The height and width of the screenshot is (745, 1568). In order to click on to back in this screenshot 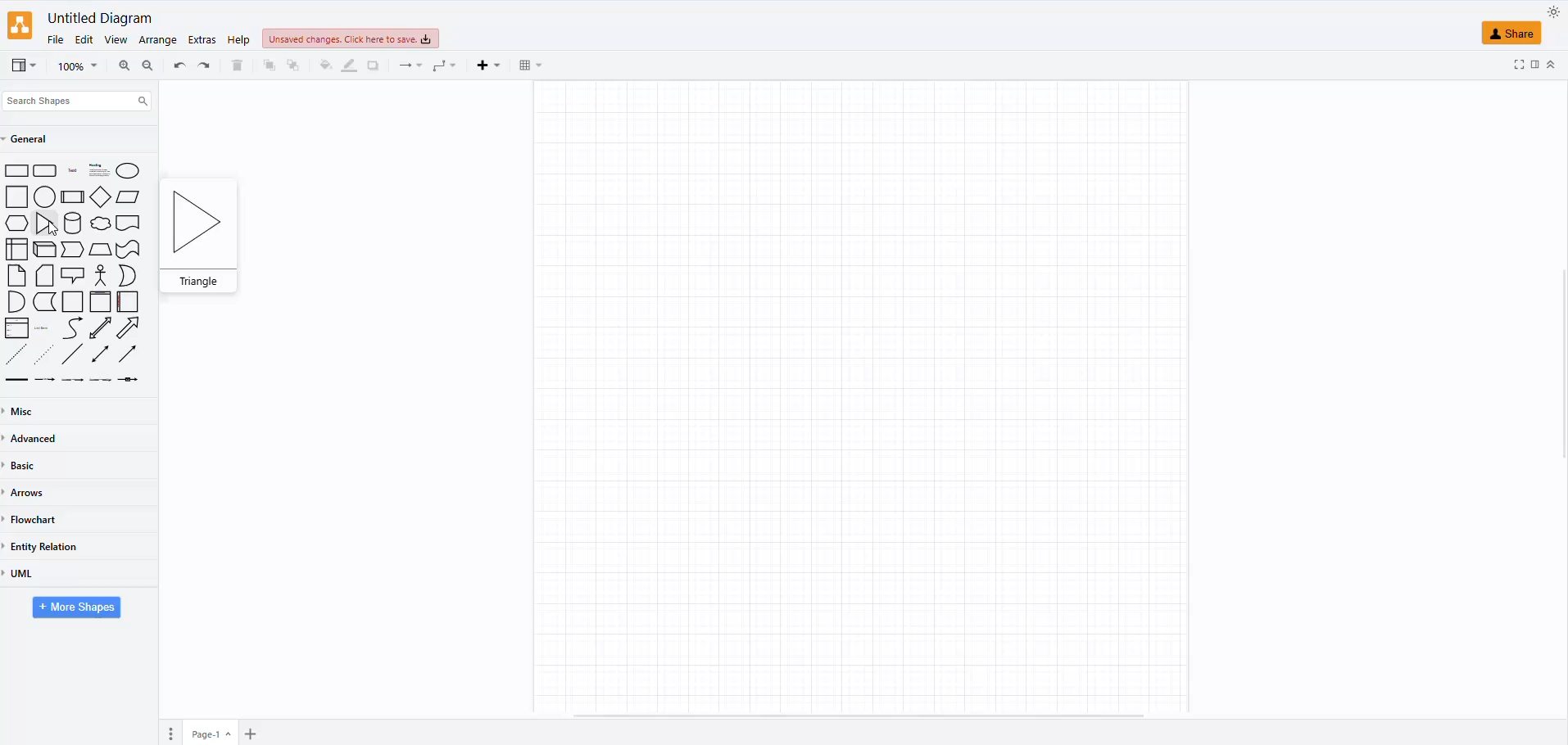, I will do `click(268, 69)`.